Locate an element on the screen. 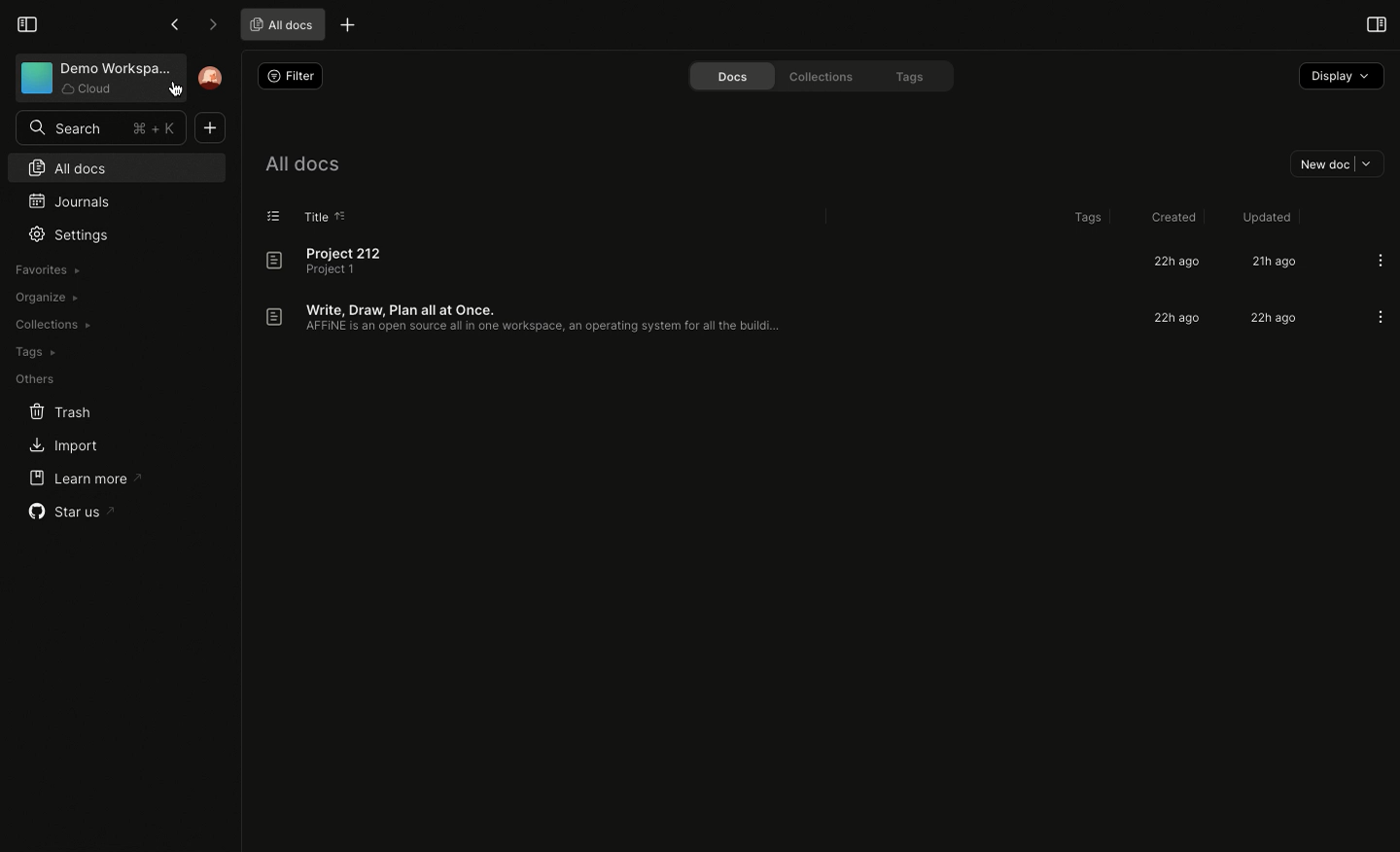  Organize is located at coordinates (44, 296).